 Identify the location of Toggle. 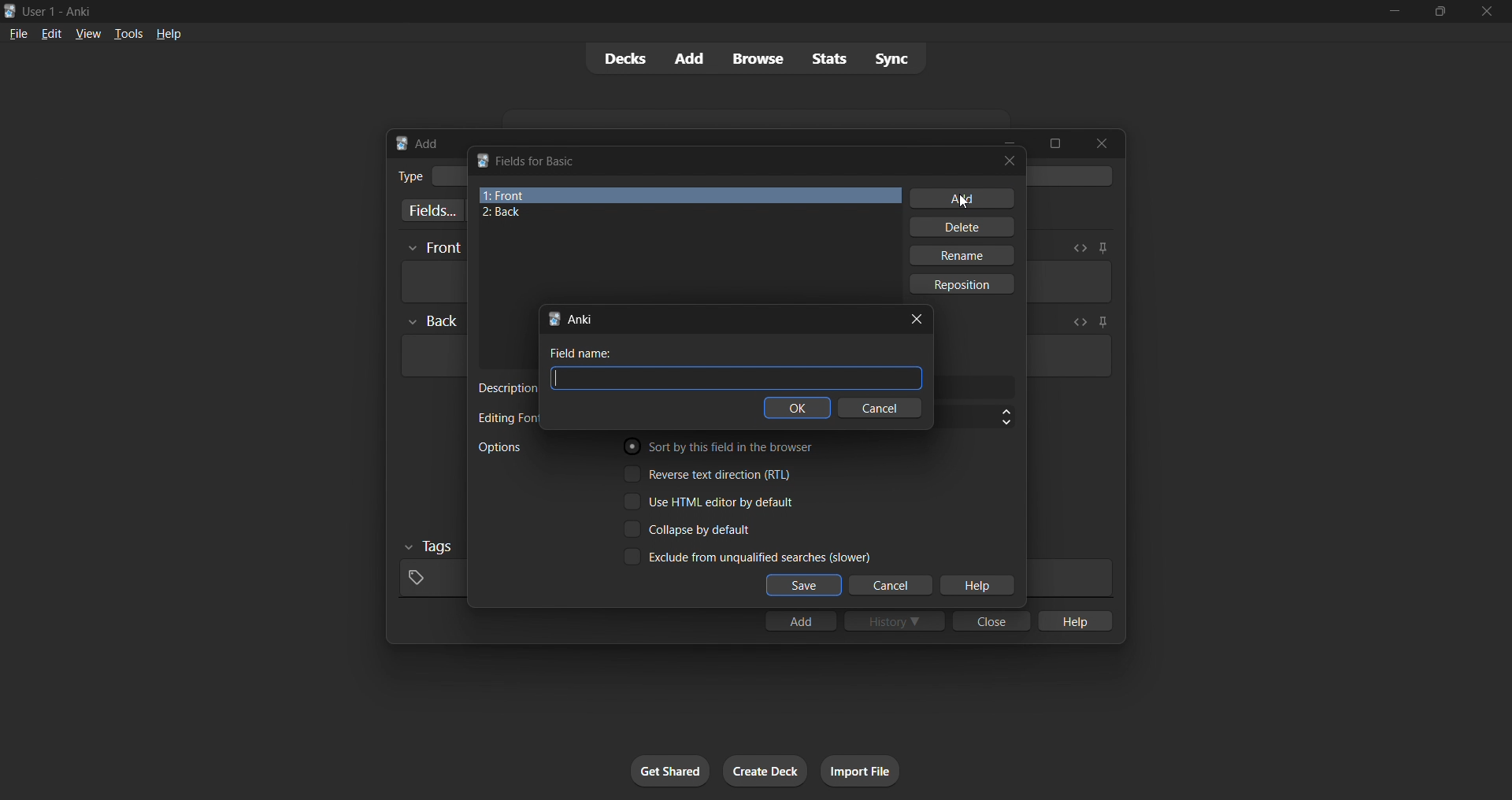
(710, 502).